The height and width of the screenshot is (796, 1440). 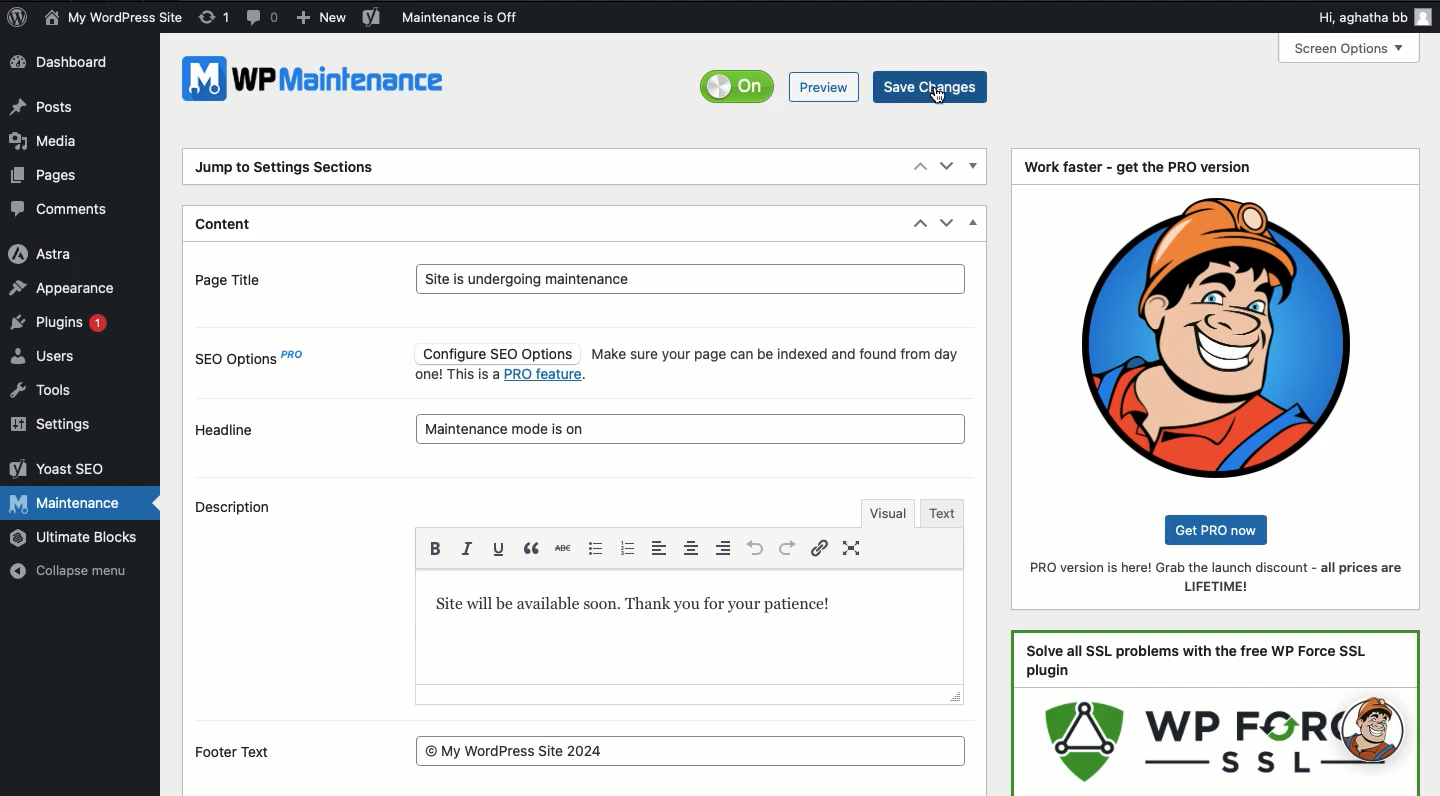 What do you see at coordinates (855, 548) in the screenshot?
I see `Full screen` at bounding box center [855, 548].